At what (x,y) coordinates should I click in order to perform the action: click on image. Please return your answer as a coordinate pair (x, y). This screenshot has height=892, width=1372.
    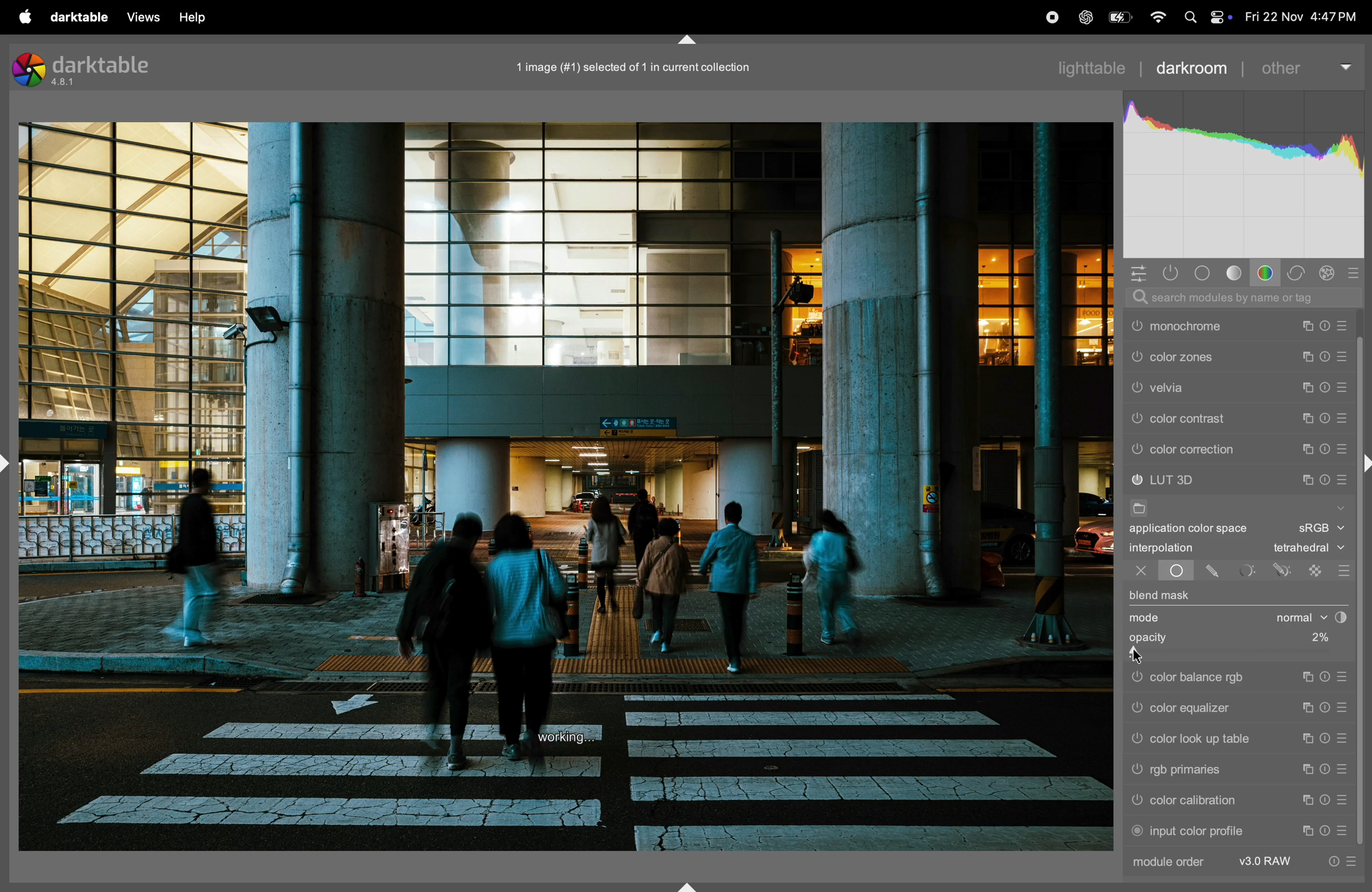
    Looking at the image, I should click on (568, 487).